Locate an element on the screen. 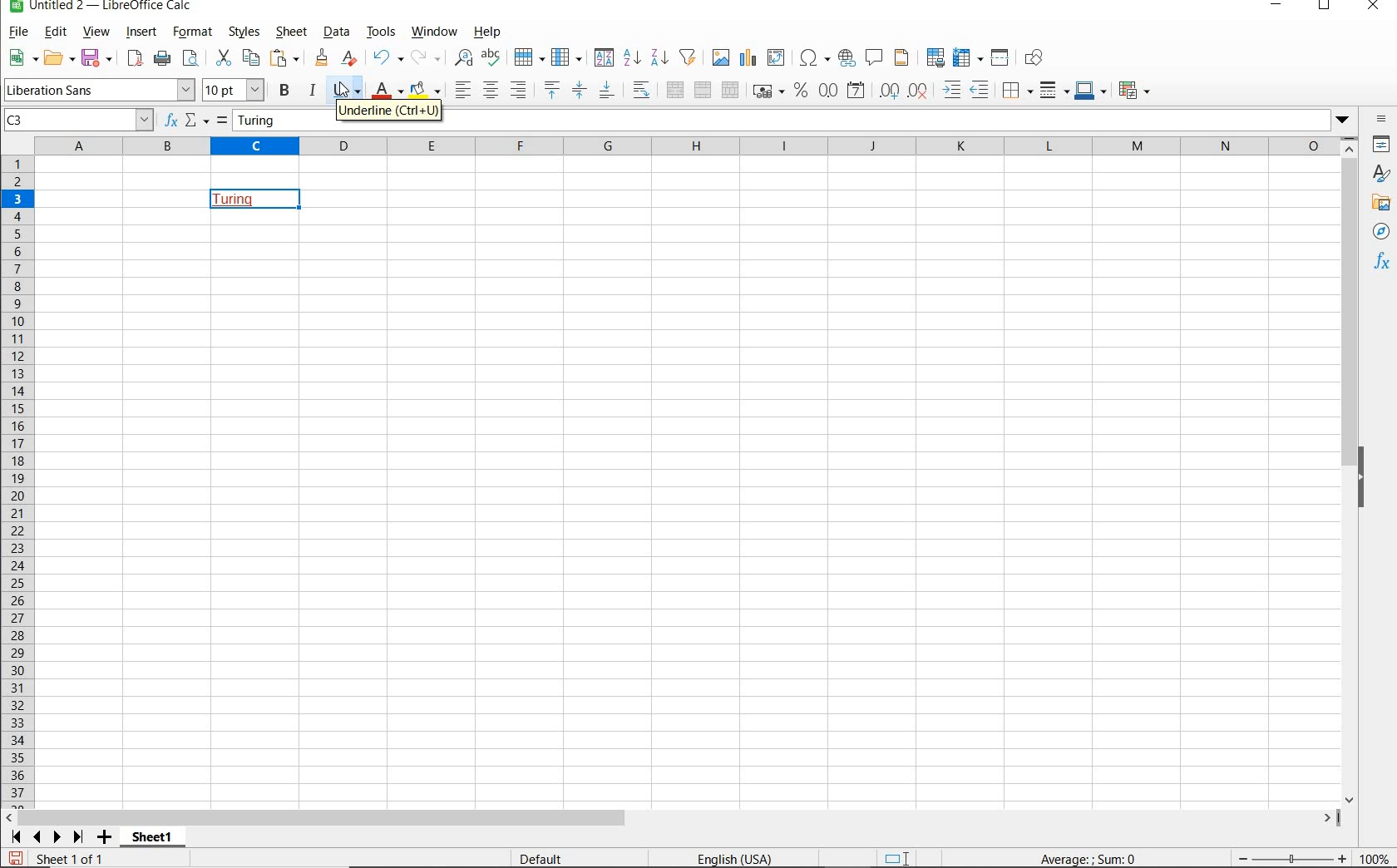  EXPORT DIRECTLY AS PDF is located at coordinates (135, 58).